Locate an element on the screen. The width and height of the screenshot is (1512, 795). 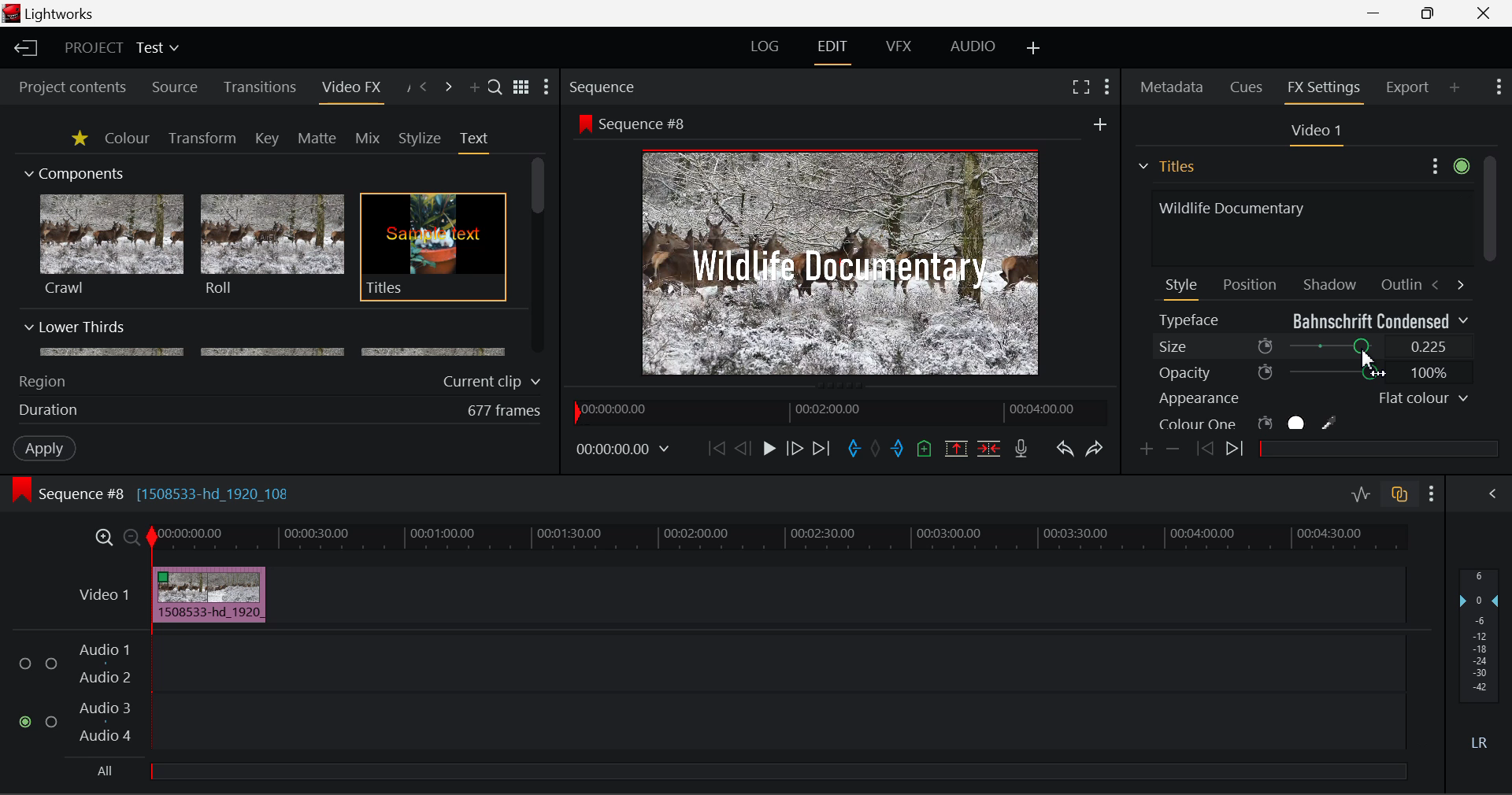
Audio 3 is located at coordinates (104, 707).